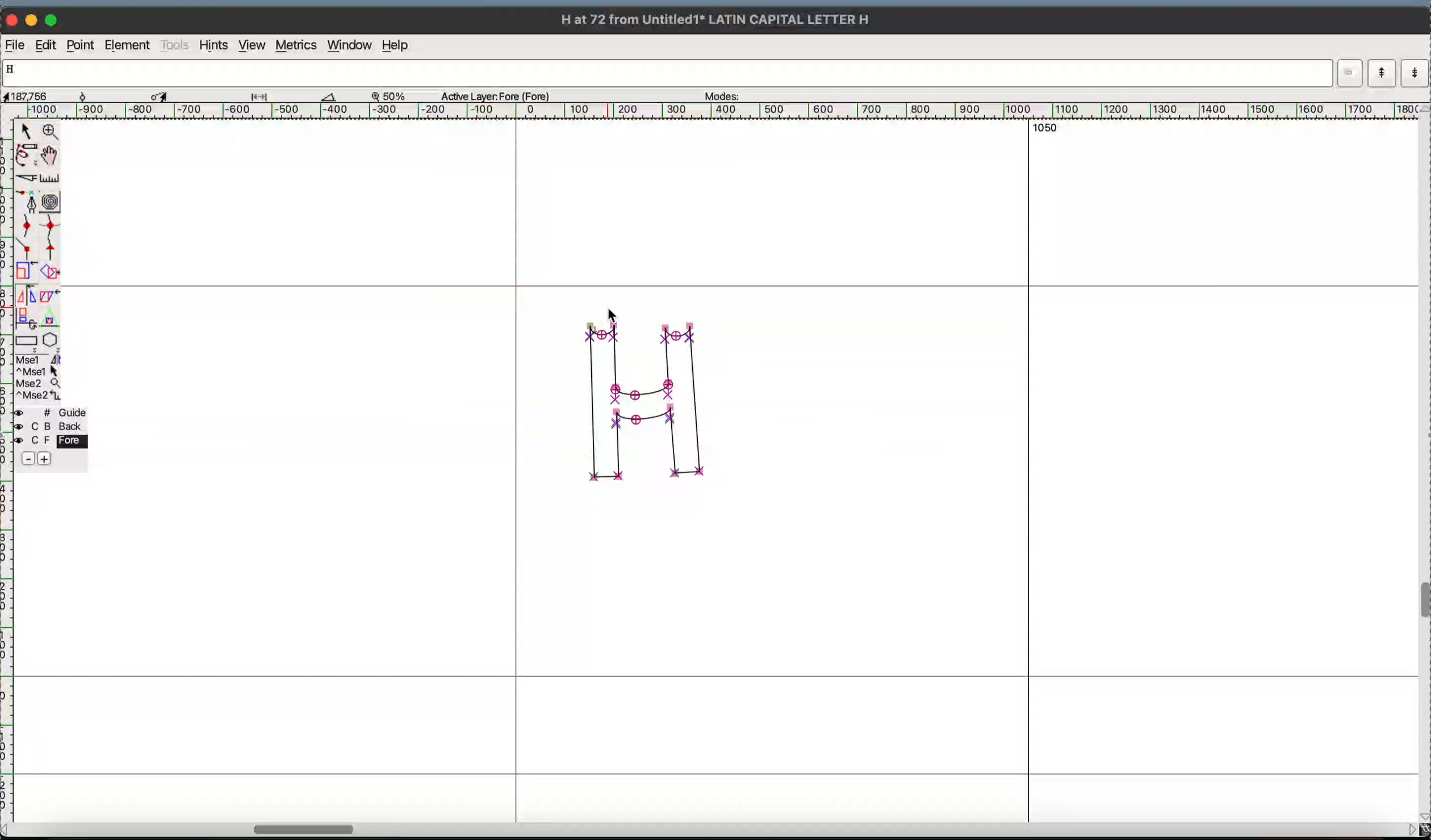  Describe the element at coordinates (81, 45) in the screenshot. I see `point` at that location.